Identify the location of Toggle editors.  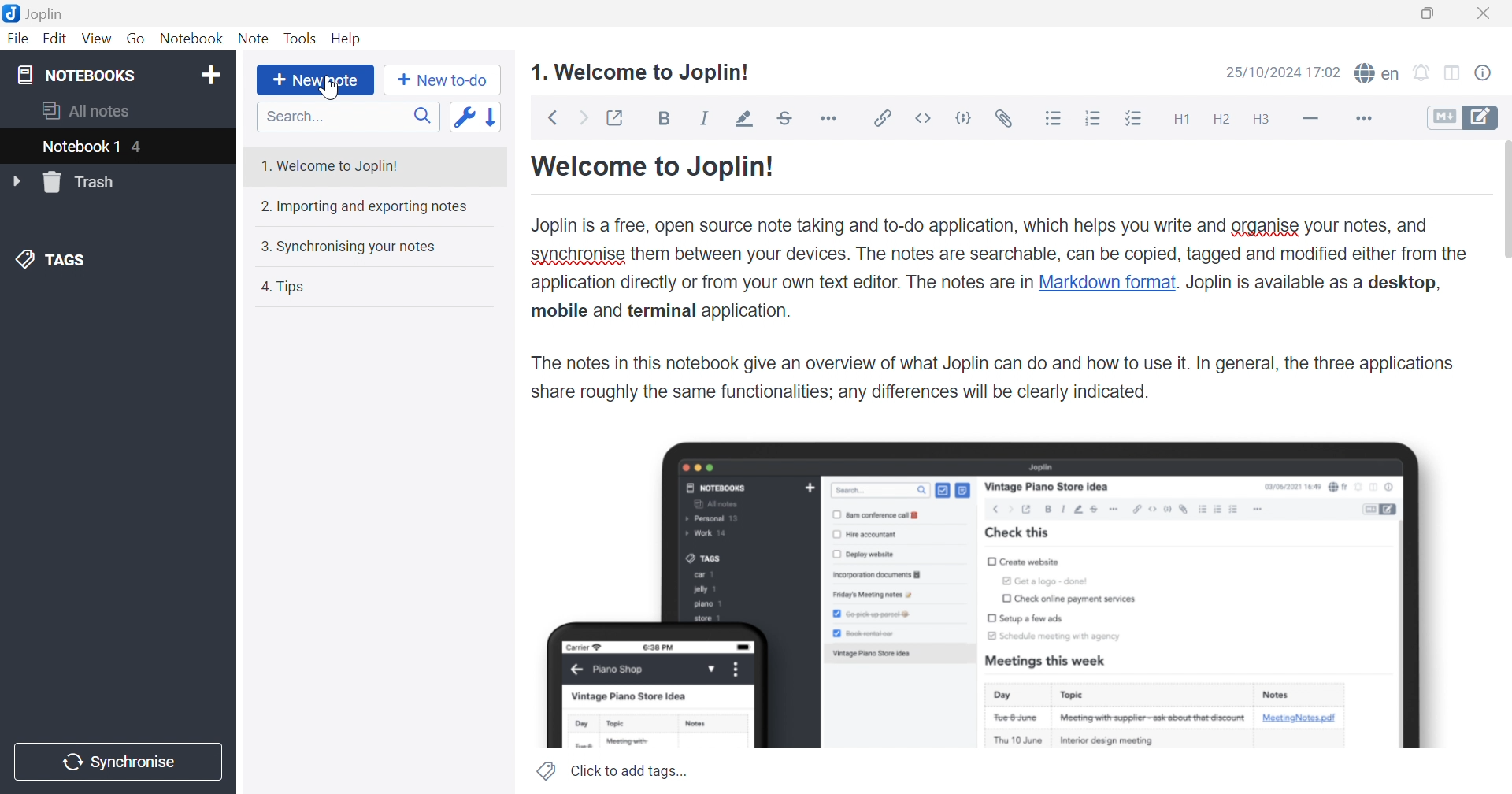
(1464, 118).